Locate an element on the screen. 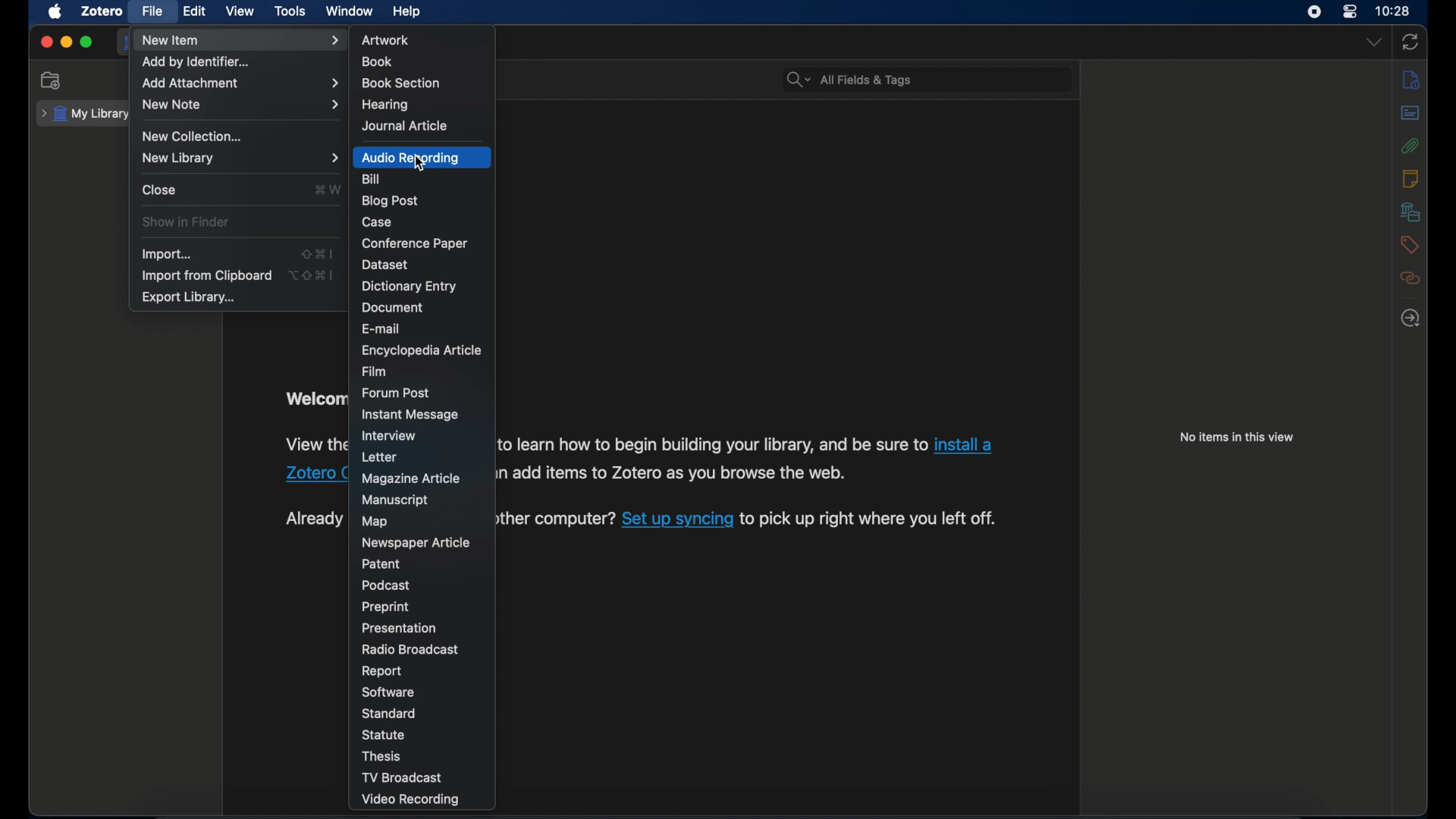  cursor is located at coordinates (420, 165).